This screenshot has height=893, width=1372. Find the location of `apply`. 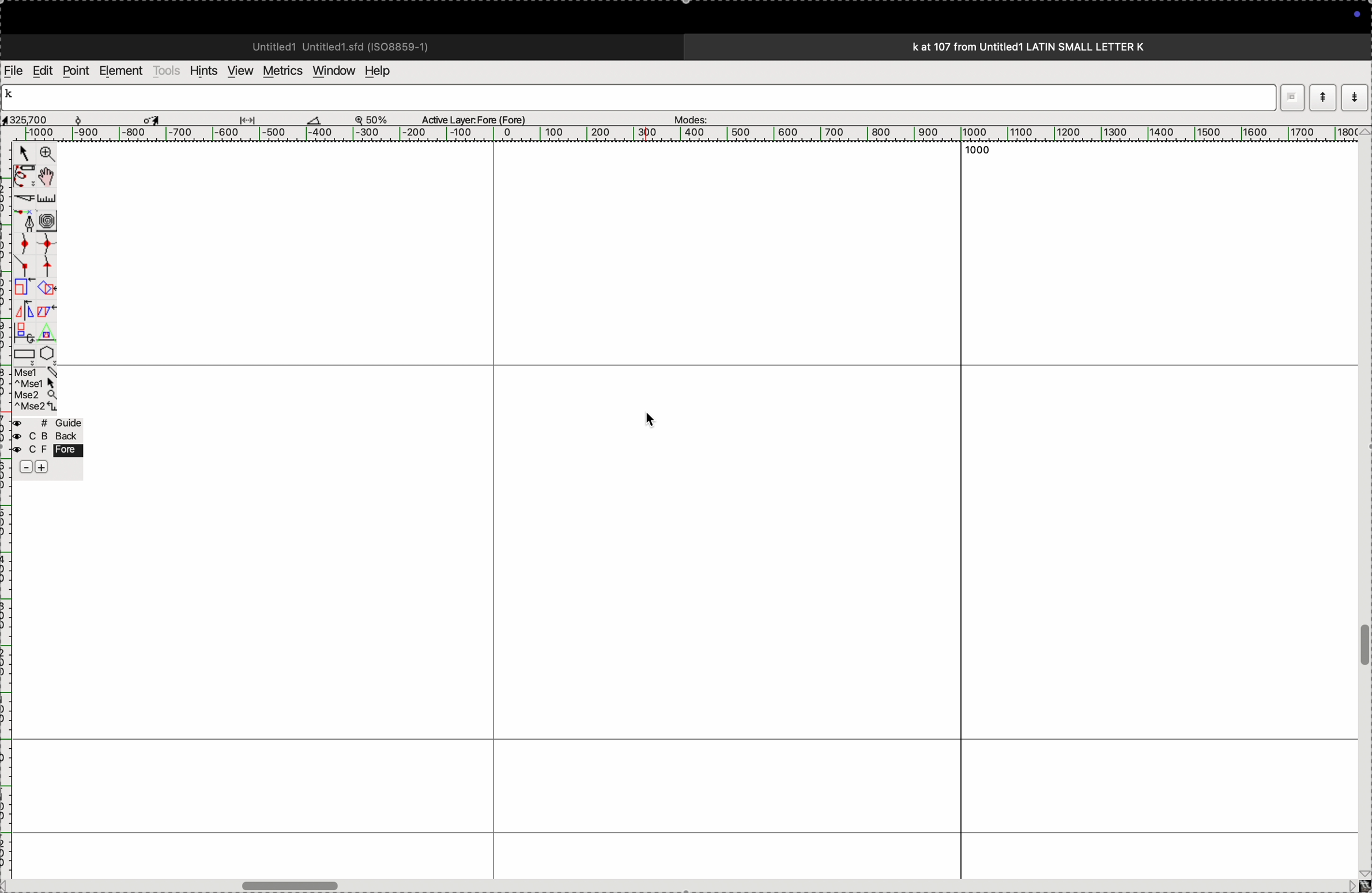

apply is located at coordinates (47, 319).